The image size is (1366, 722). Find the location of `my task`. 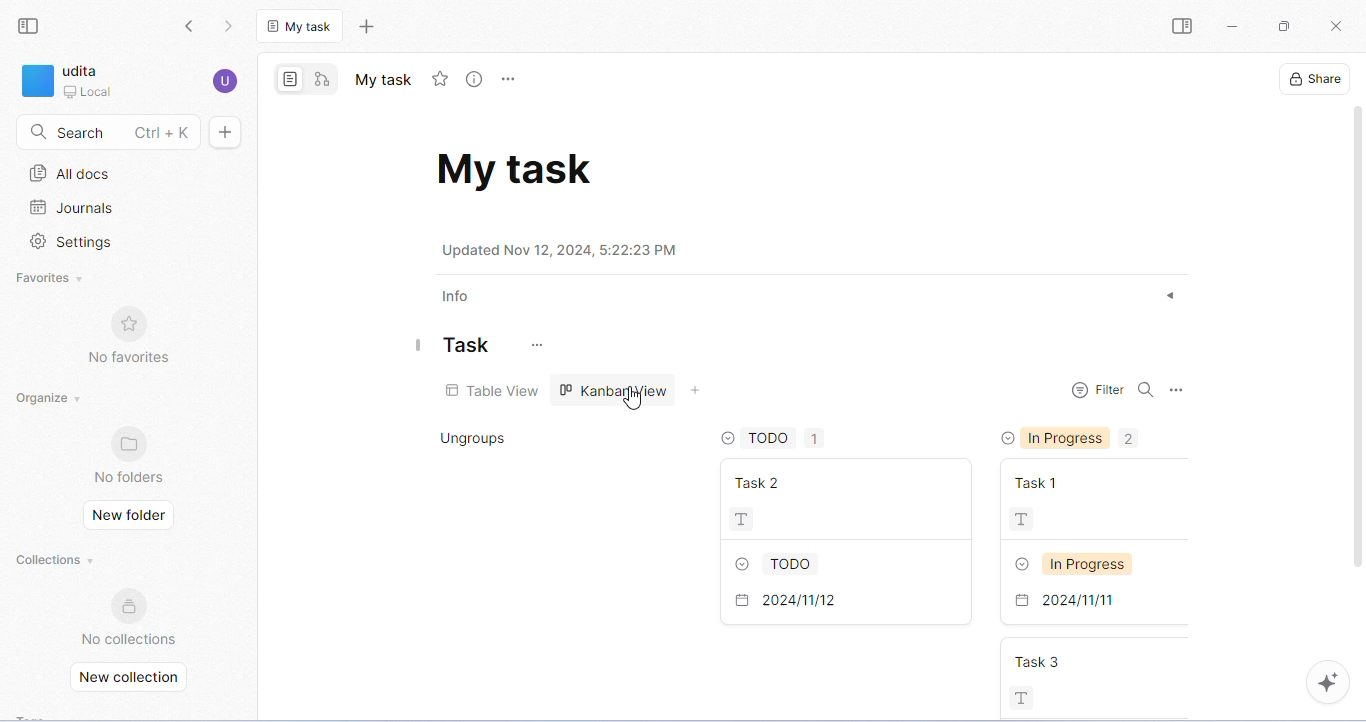

my task is located at coordinates (520, 169).